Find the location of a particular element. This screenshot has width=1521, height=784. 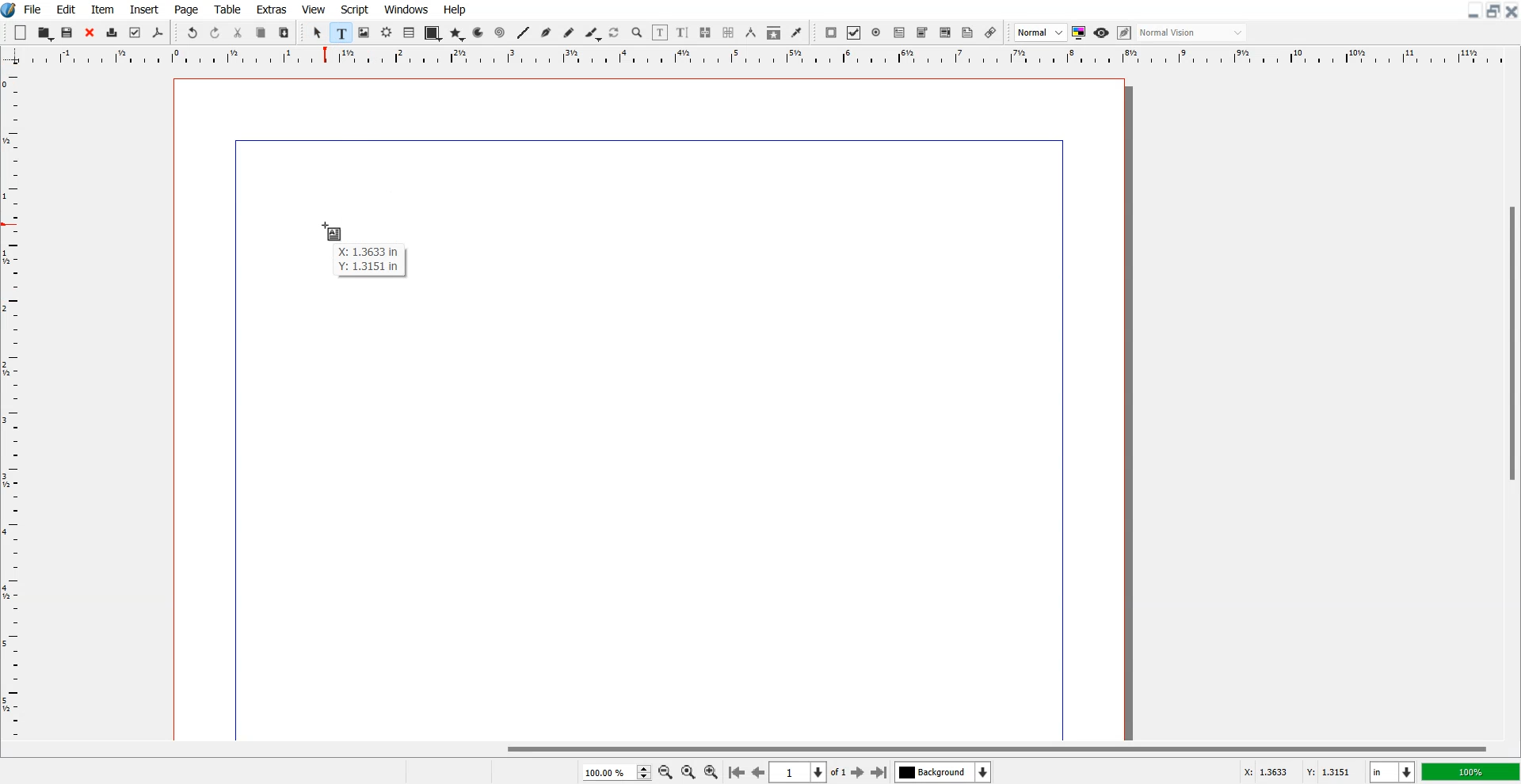

Eye dropper is located at coordinates (796, 32).